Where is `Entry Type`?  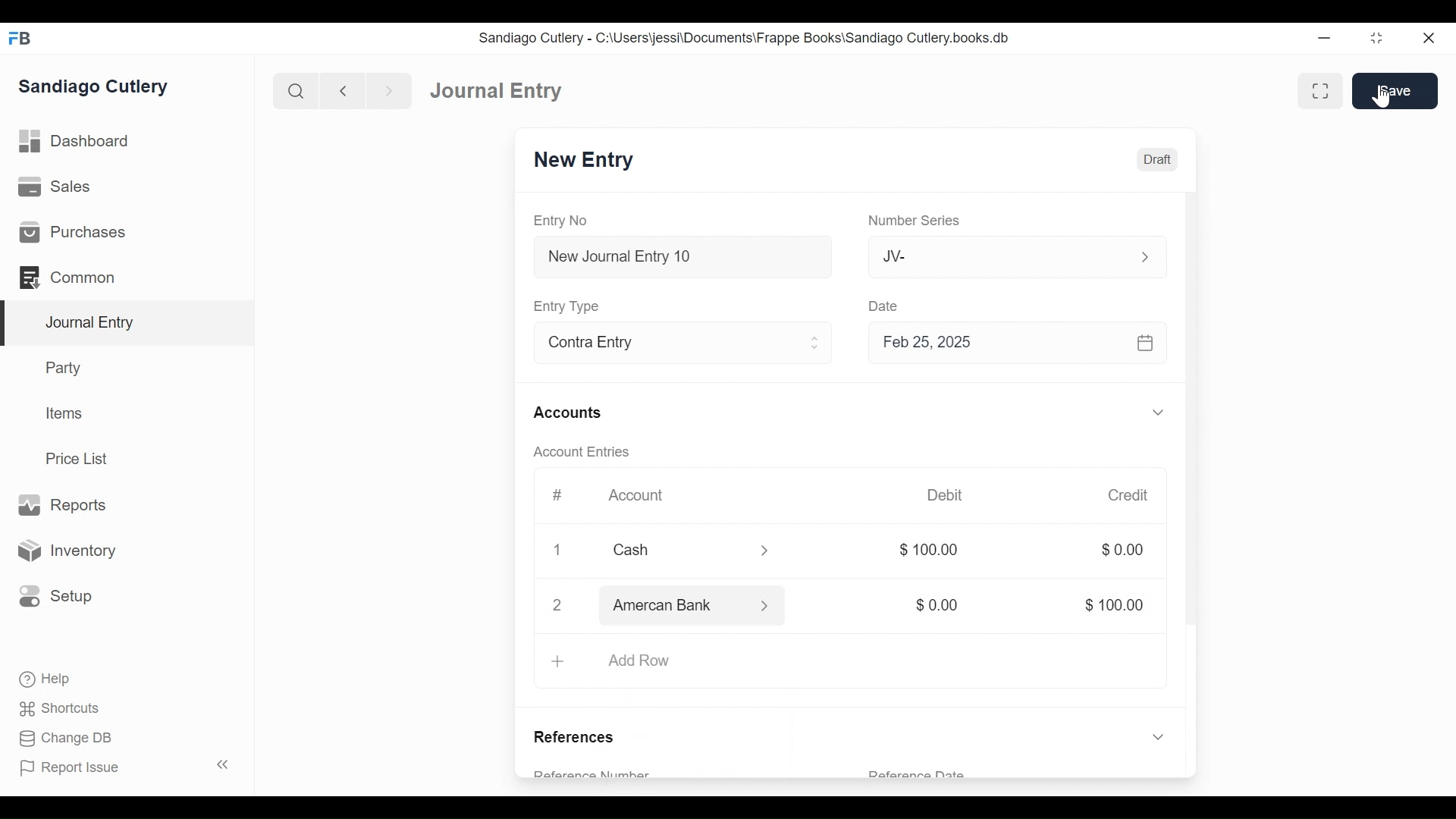
Entry Type is located at coordinates (571, 306).